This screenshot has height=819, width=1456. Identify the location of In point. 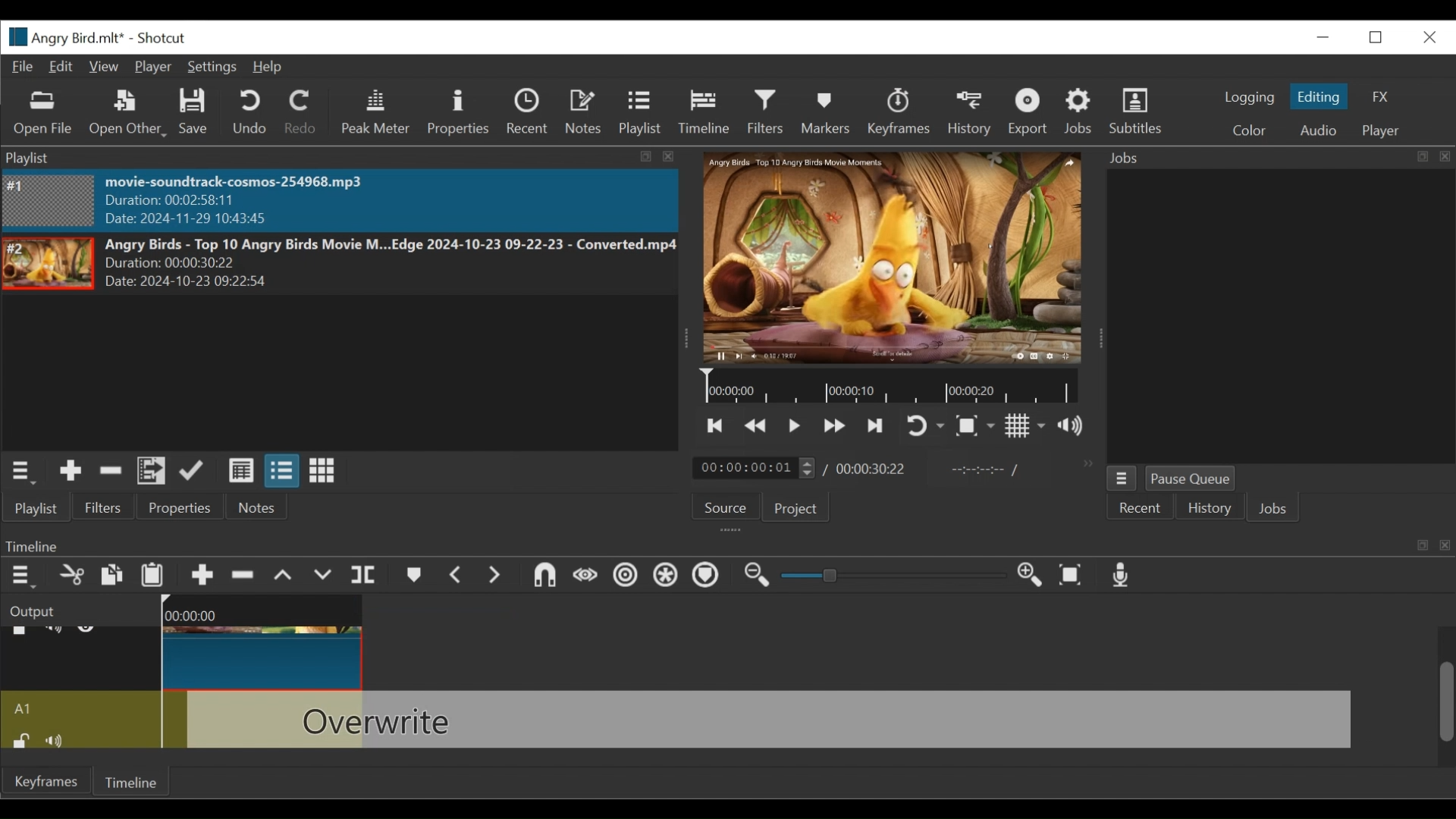
(981, 469).